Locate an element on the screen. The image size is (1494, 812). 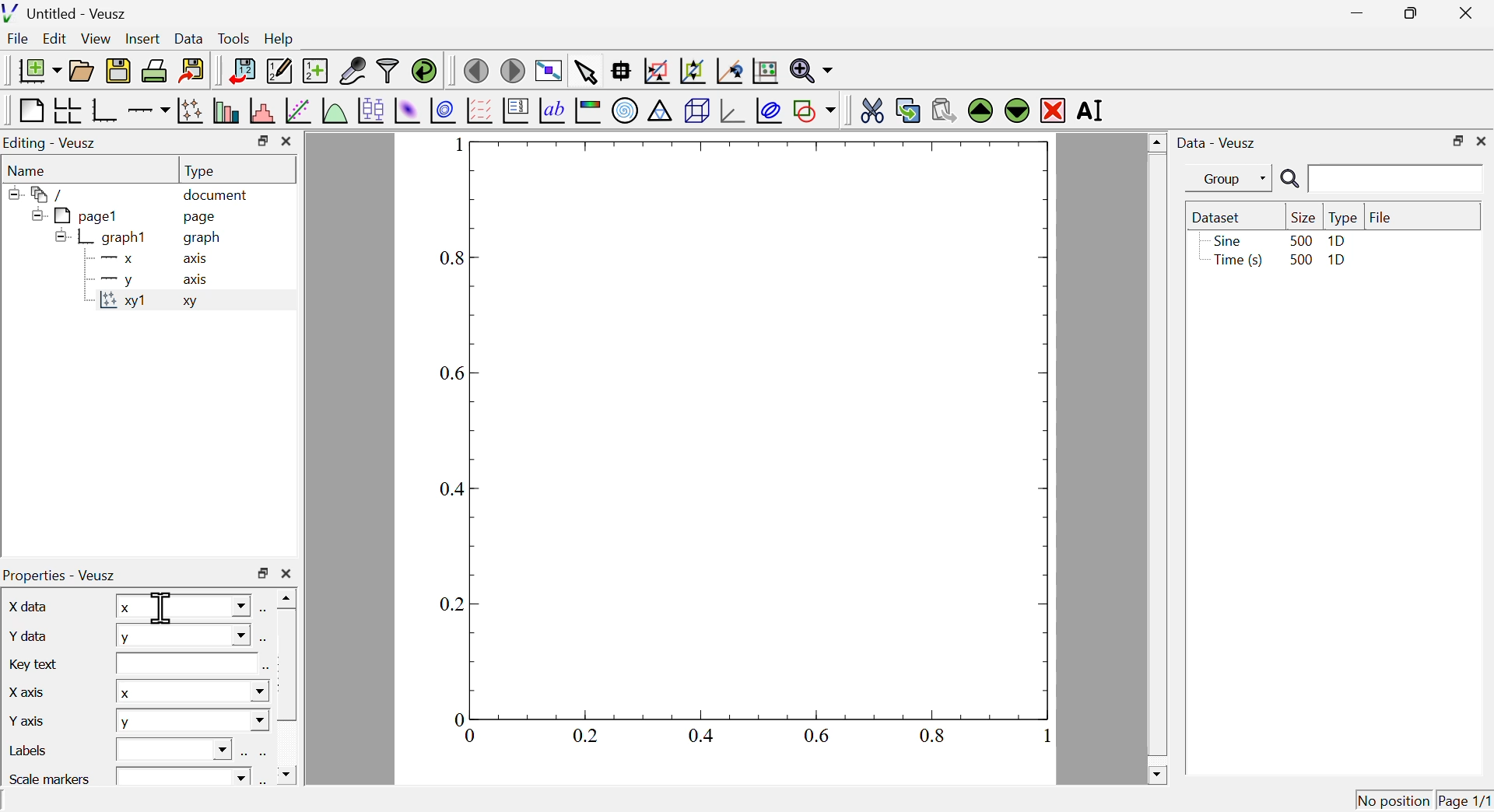
type is located at coordinates (1343, 218).